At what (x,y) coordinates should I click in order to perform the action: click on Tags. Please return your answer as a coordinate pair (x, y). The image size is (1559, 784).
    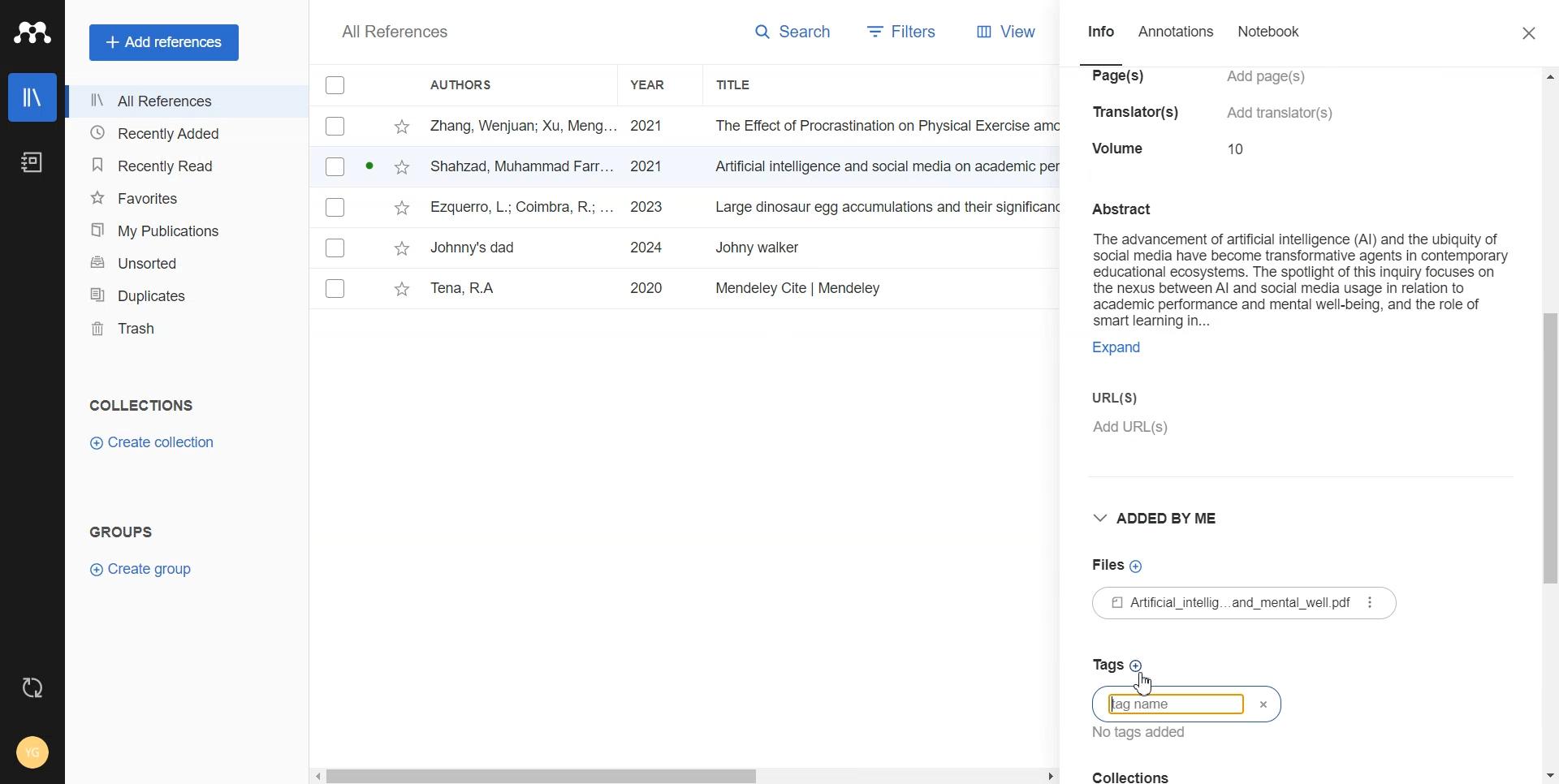
    Looking at the image, I should click on (1121, 663).